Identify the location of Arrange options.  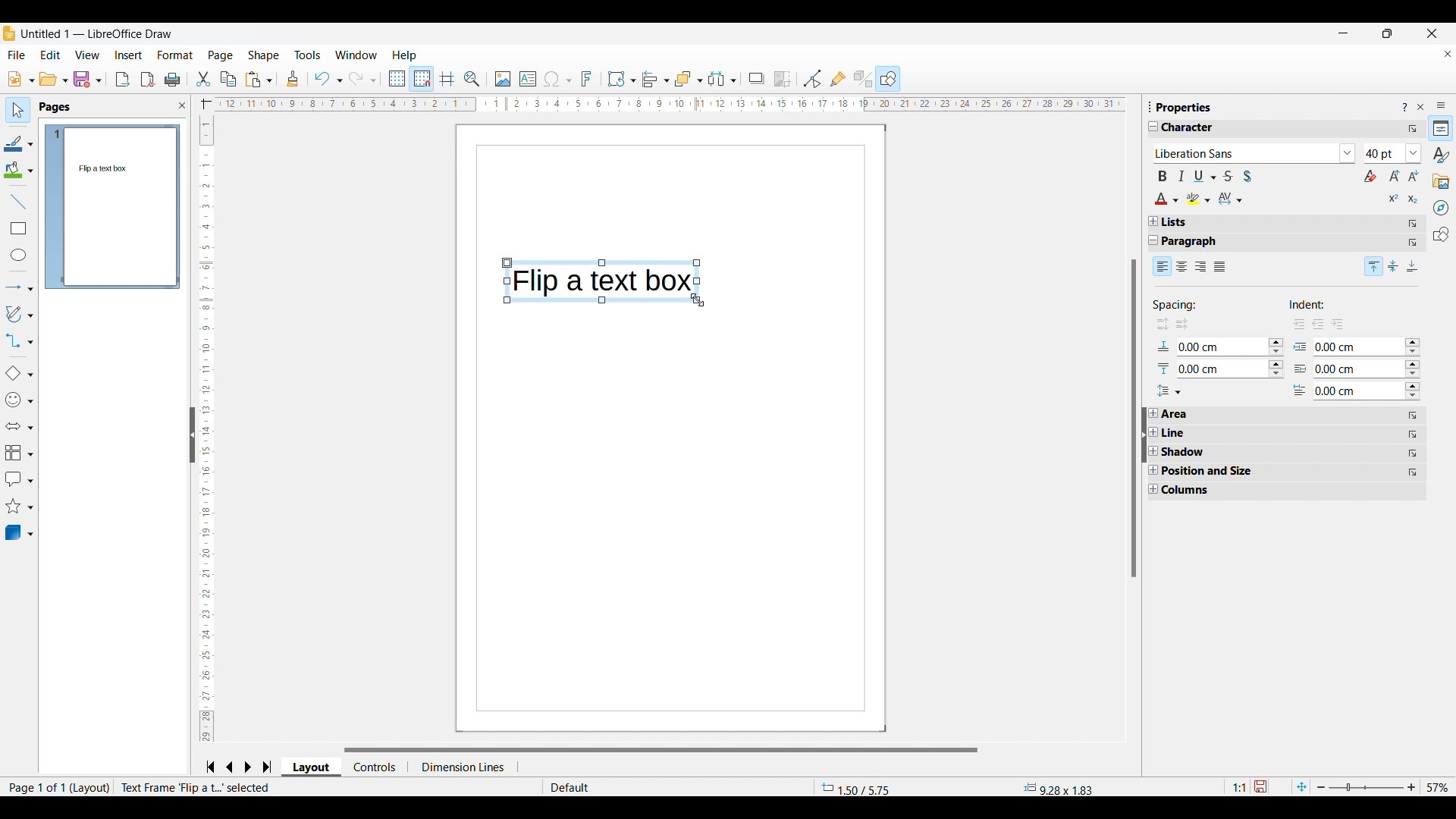
(689, 80).